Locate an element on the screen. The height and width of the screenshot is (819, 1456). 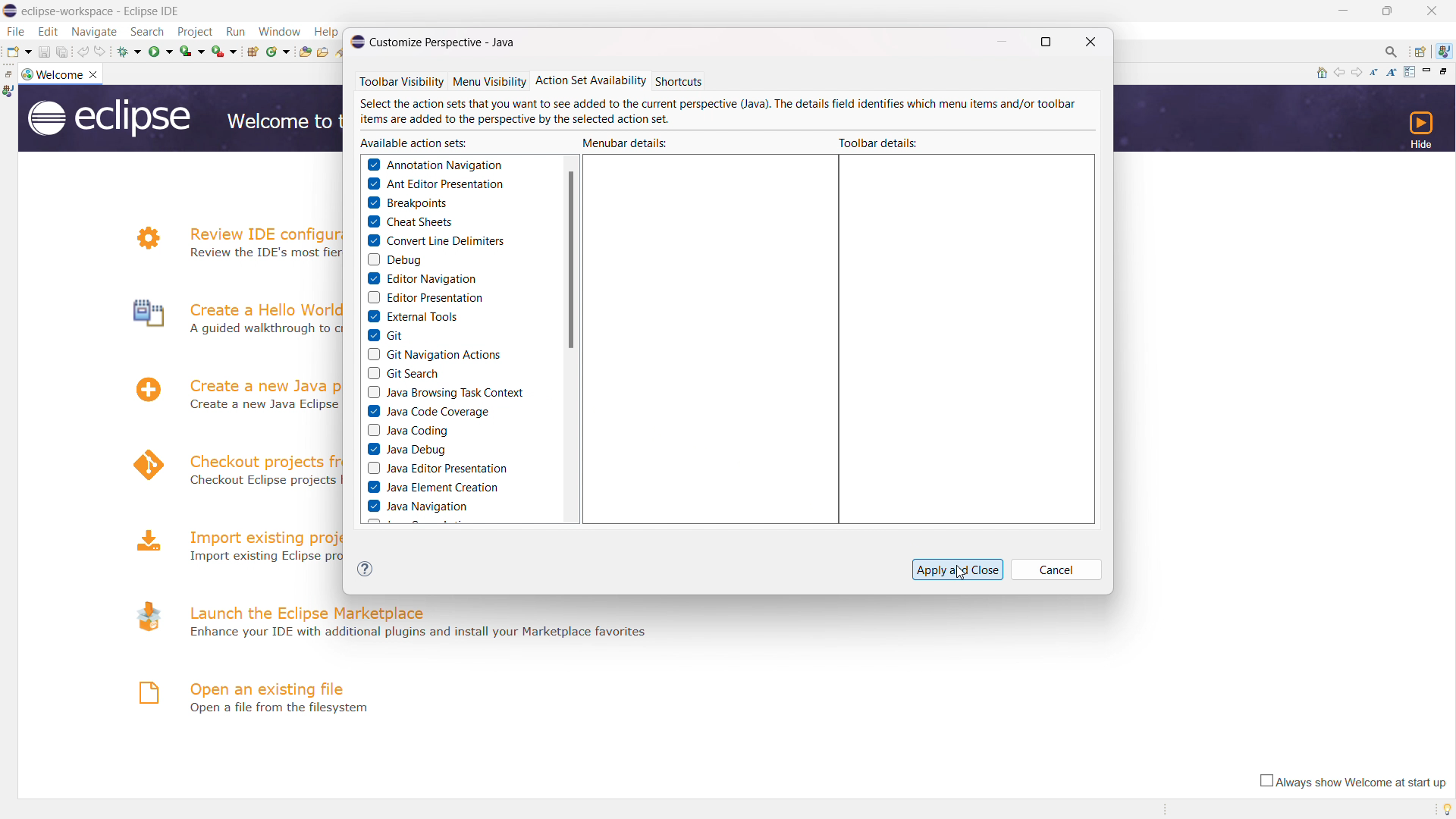
customize page is located at coordinates (1409, 72).